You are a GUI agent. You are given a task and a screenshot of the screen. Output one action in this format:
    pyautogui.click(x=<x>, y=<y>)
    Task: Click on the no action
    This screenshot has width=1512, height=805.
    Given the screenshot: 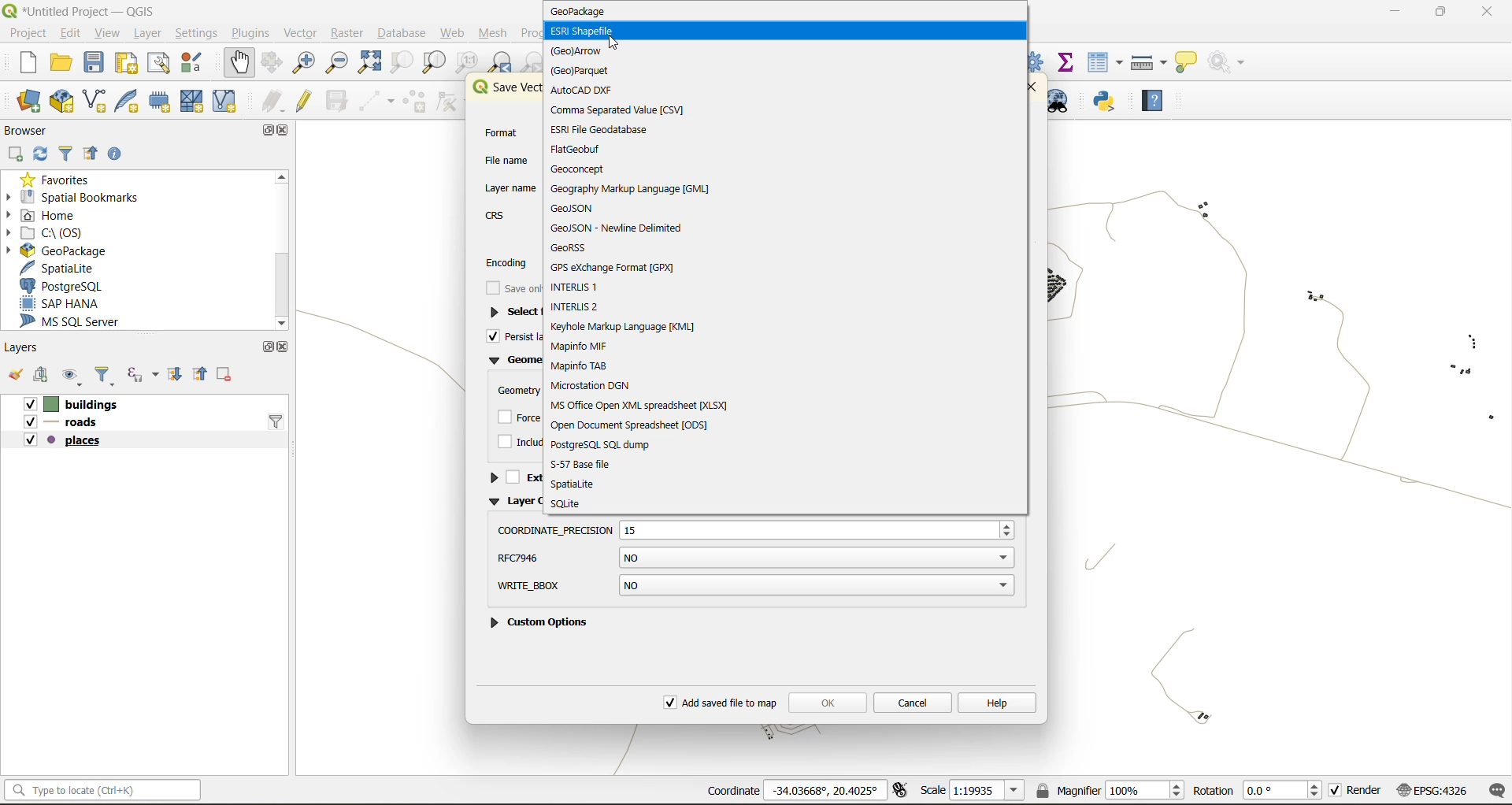 What is the action you would take?
    pyautogui.click(x=1233, y=63)
    